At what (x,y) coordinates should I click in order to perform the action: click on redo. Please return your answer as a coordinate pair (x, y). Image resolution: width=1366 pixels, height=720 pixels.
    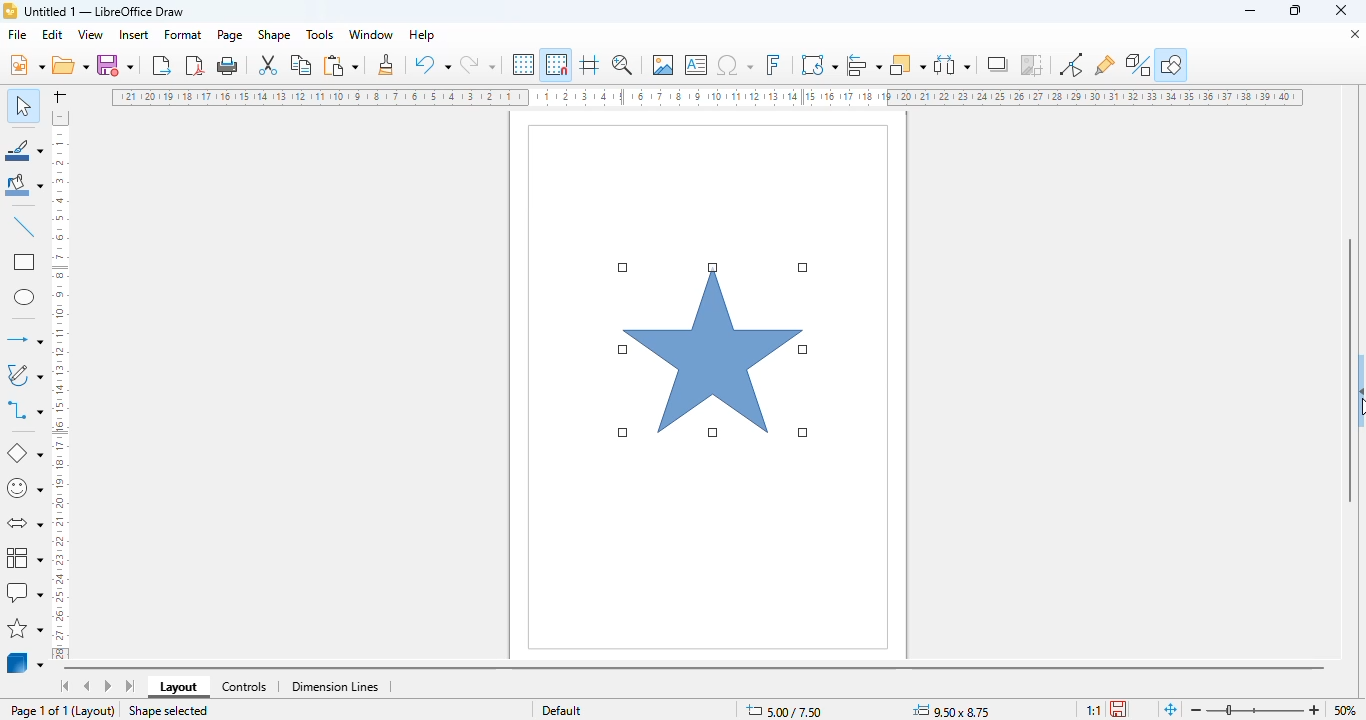
    Looking at the image, I should click on (477, 64).